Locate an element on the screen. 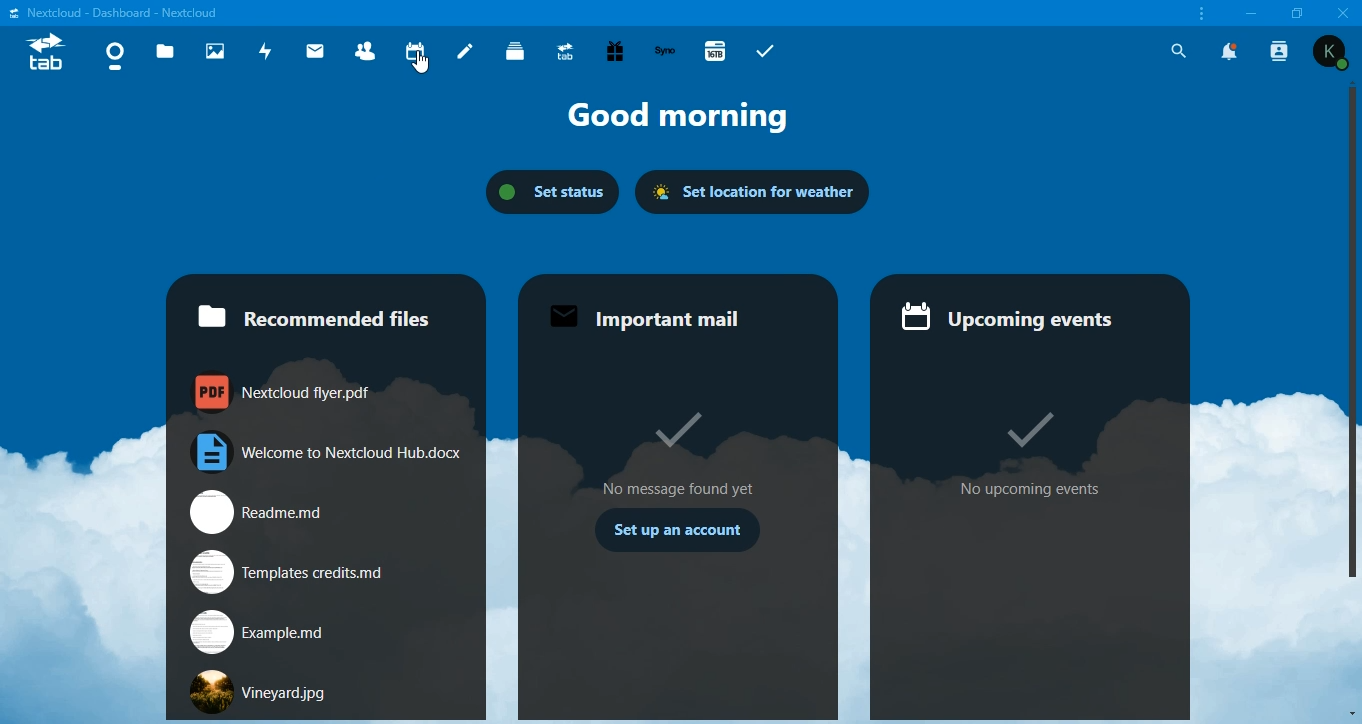 The image size is (1362, 724). upgrade is located at coordinates (565, 52).